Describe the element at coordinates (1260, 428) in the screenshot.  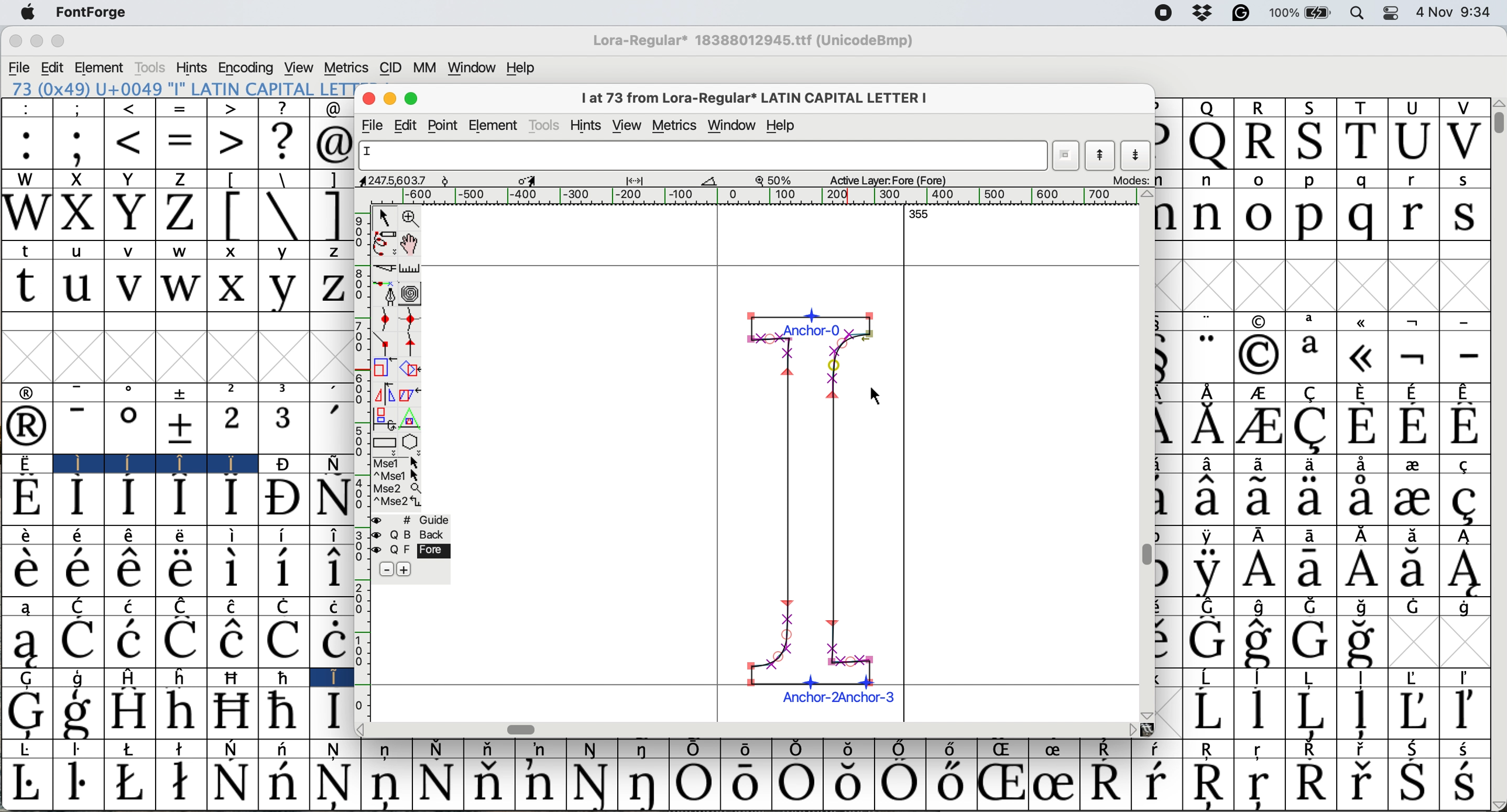
I see `Symbol` at that location.